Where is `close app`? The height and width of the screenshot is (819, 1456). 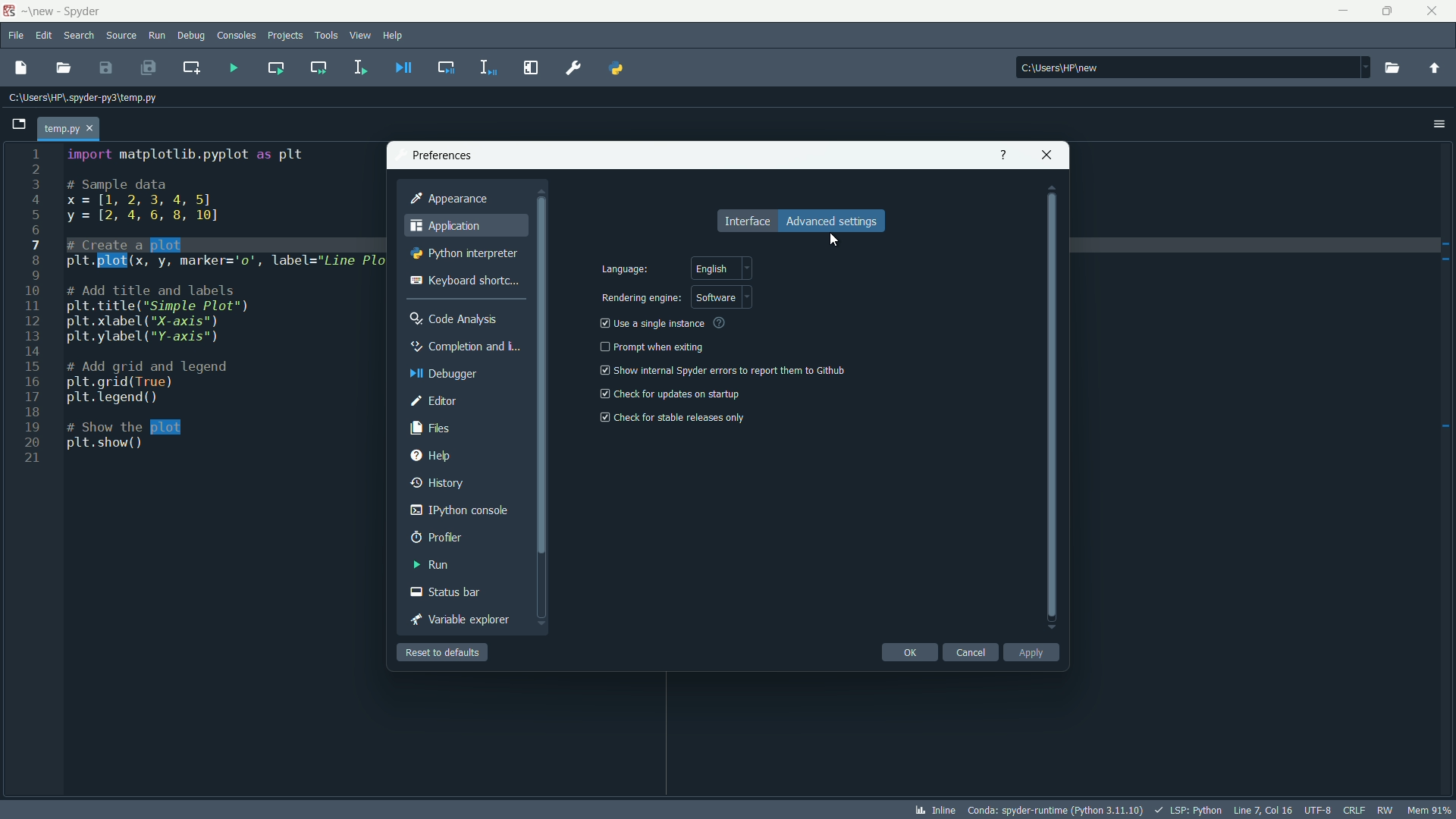 close app is located at coordinates (1434, 11).